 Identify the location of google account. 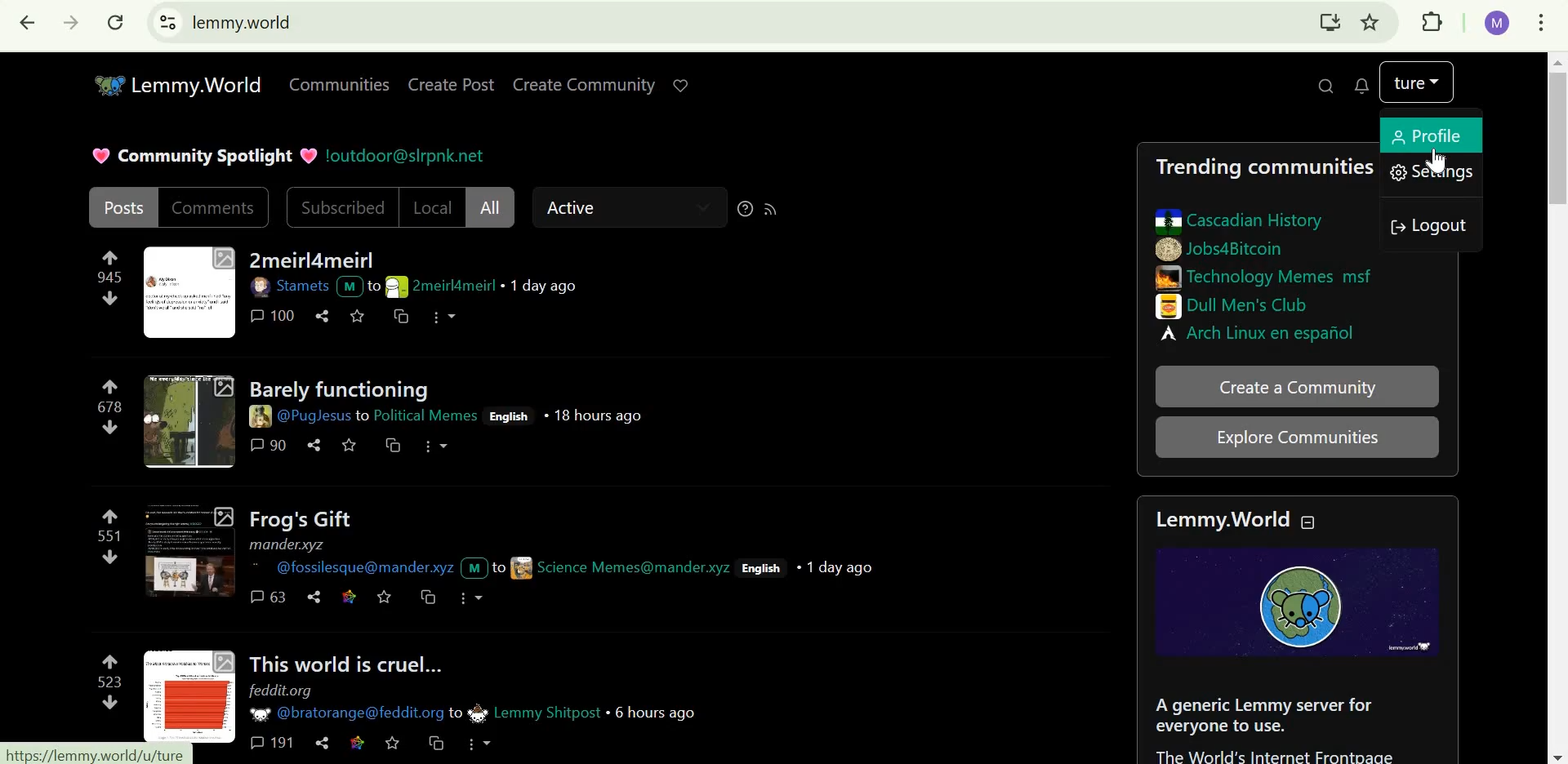
(1499, 24).